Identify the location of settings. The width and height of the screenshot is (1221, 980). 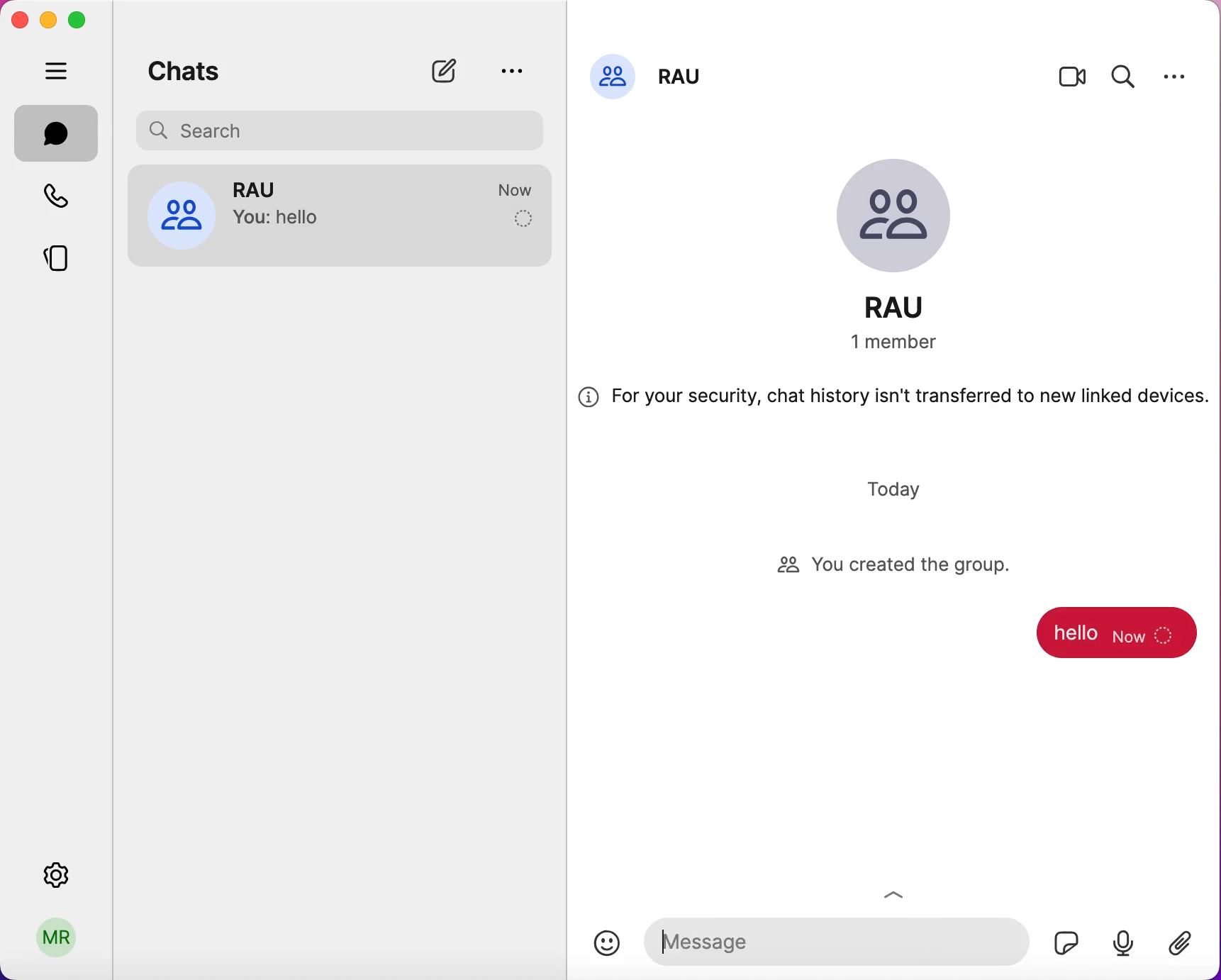
(1175, 76).